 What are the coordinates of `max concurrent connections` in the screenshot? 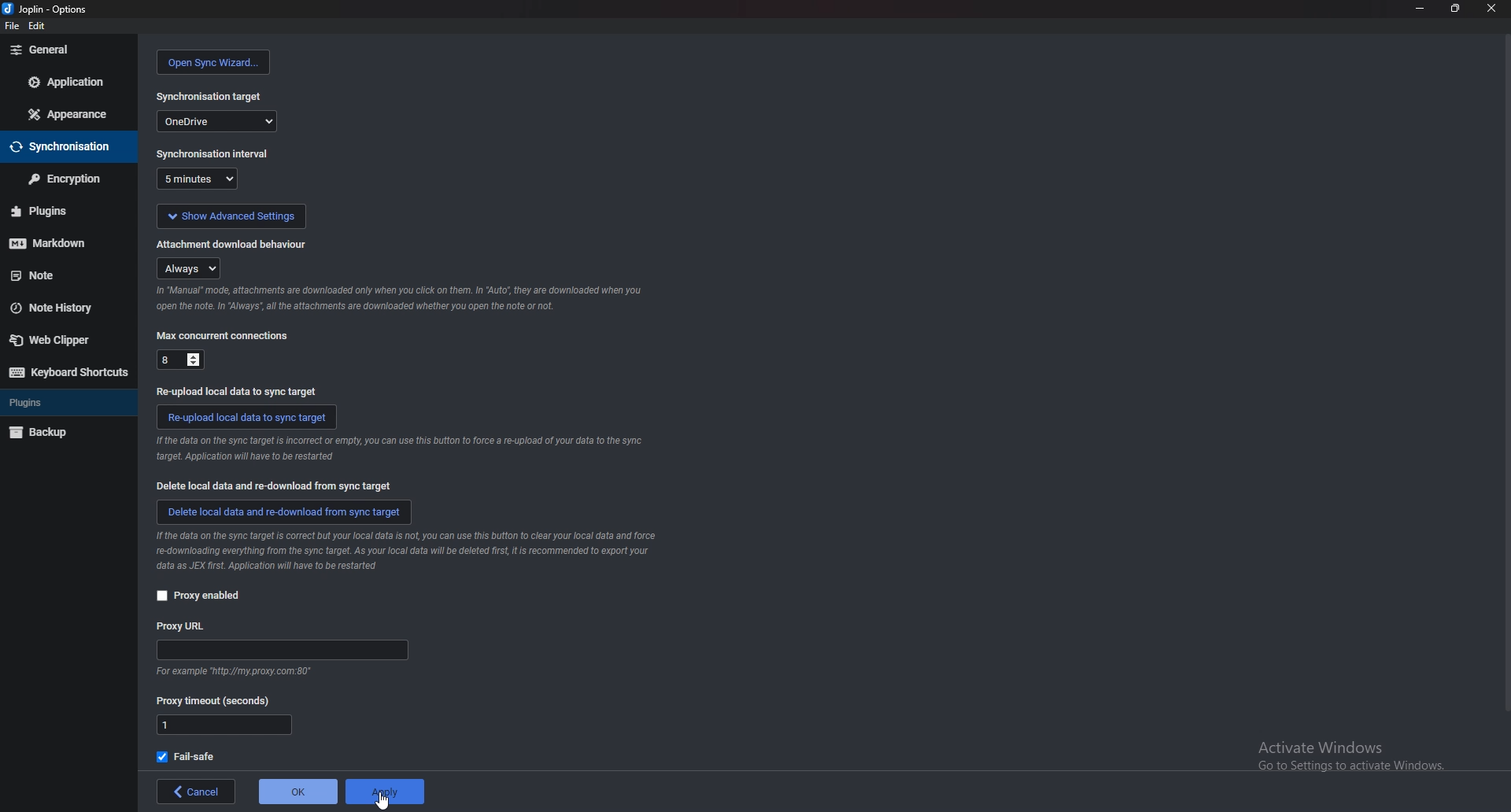 It's located at (225, 336).